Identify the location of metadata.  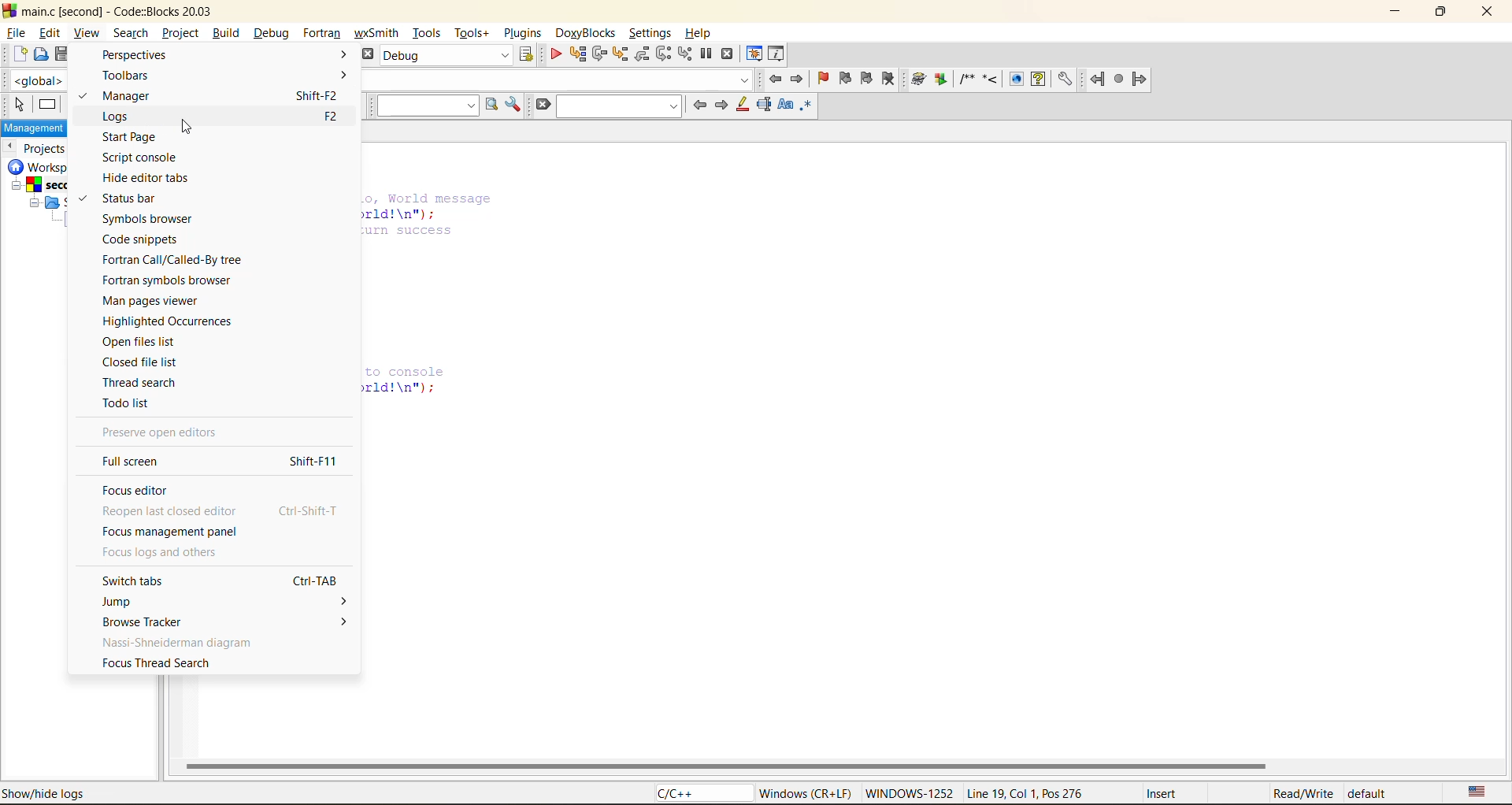
(1077, 792).